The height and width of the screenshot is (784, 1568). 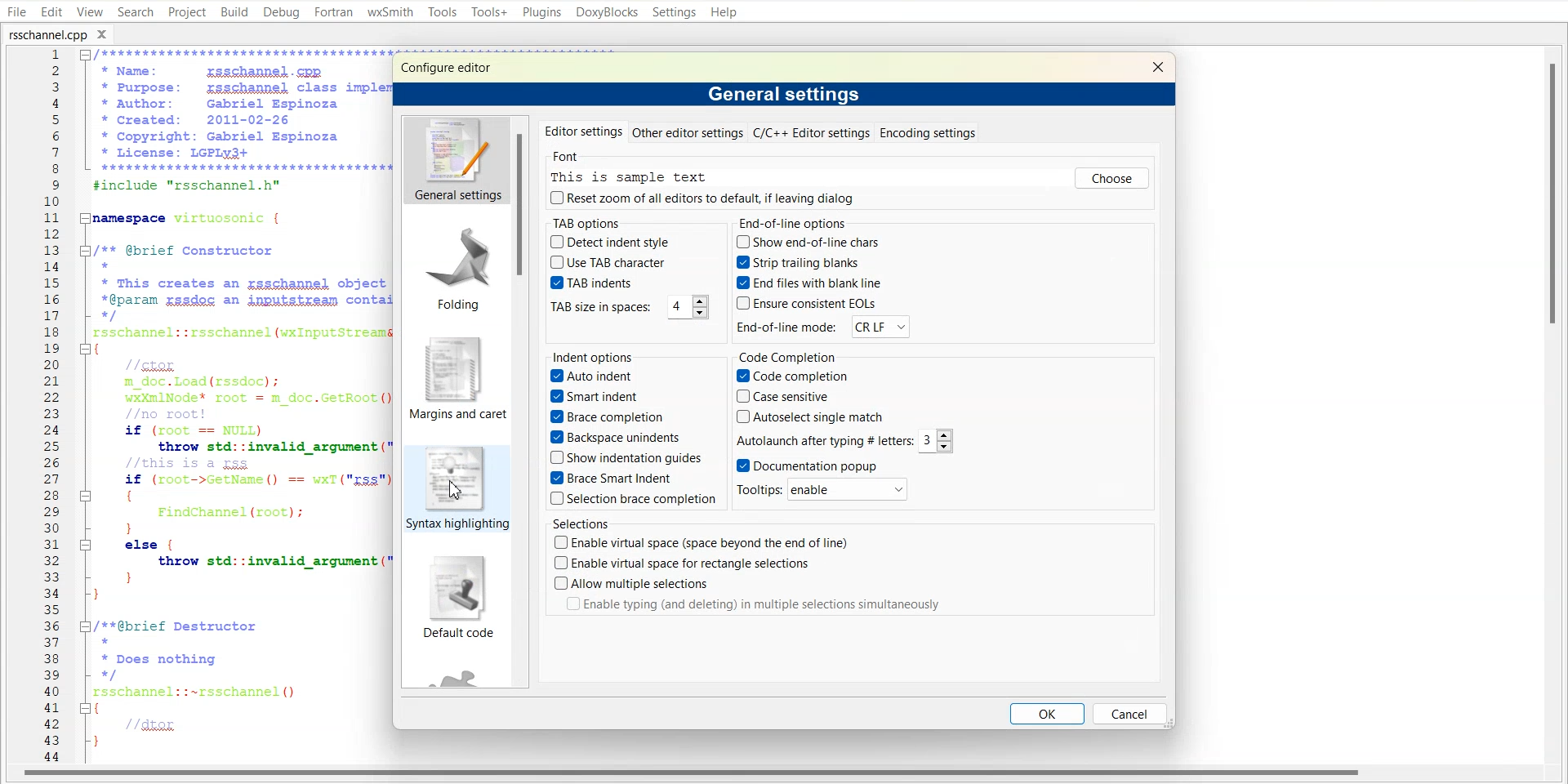 What do you see at coordinates (633, 497) in the screenshot?
I see `Selection brace completion` at bounding box center [633, 497].